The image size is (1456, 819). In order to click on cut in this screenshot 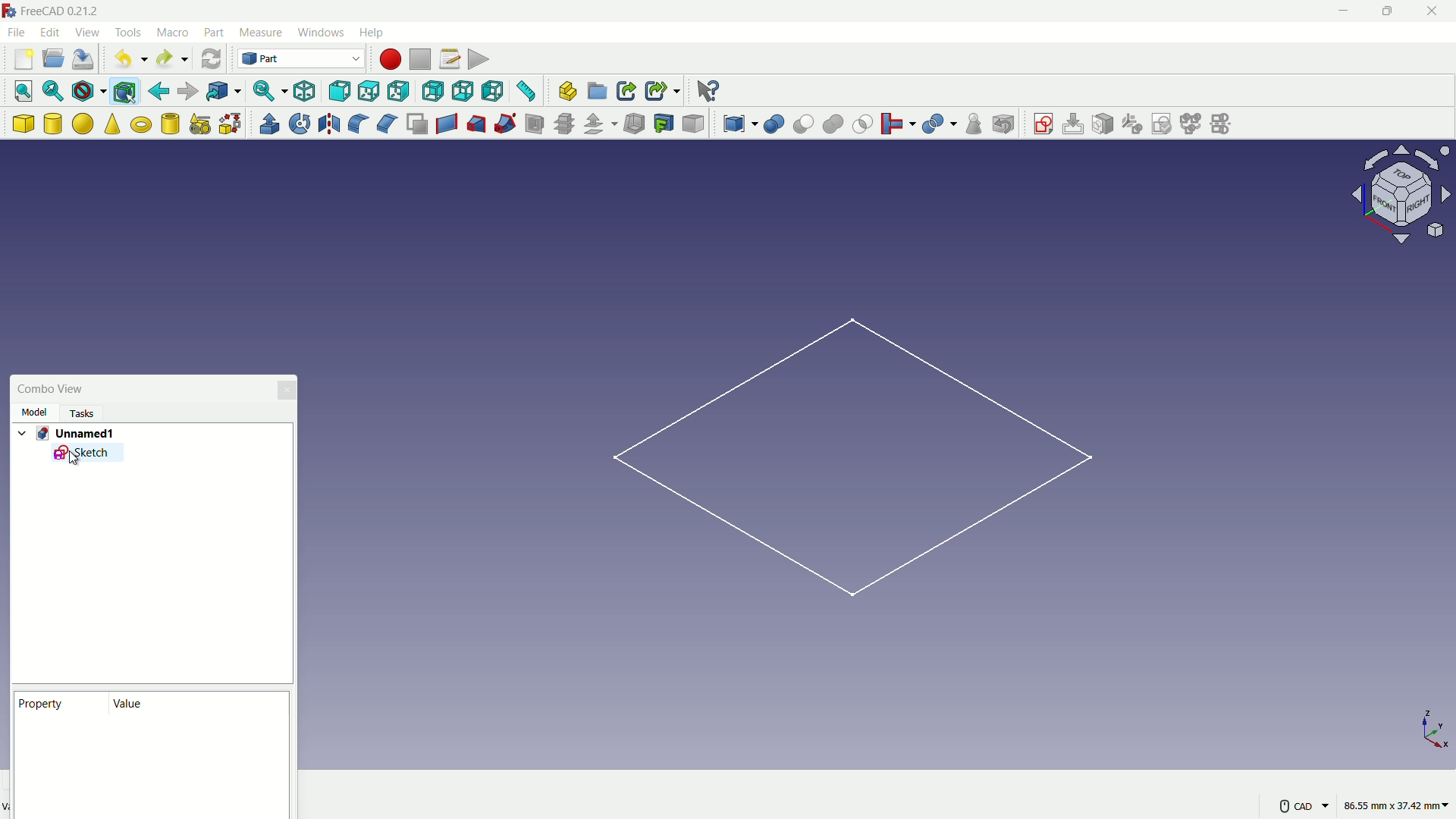, I will do `click(803, 124)`.